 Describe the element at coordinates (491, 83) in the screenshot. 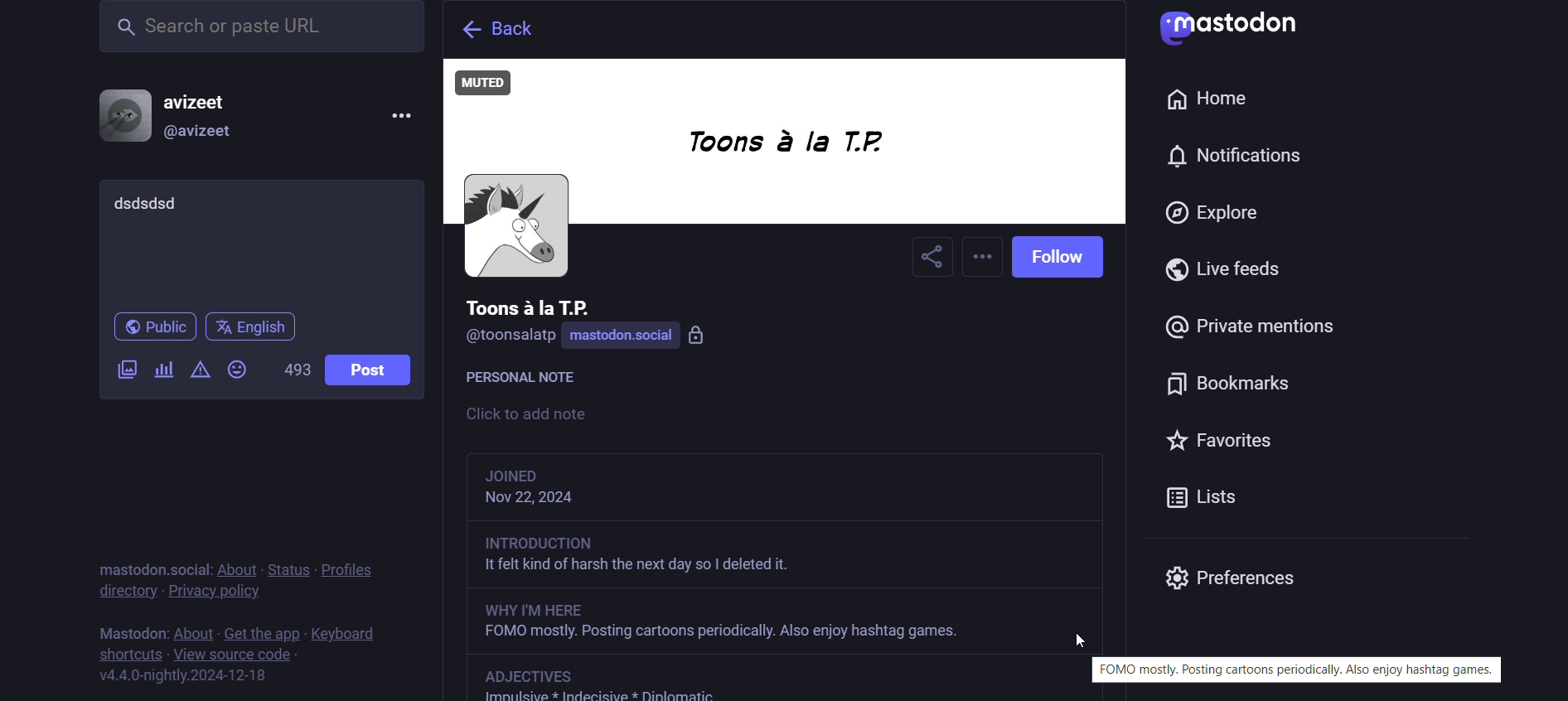

I see `User Muted` at that location.